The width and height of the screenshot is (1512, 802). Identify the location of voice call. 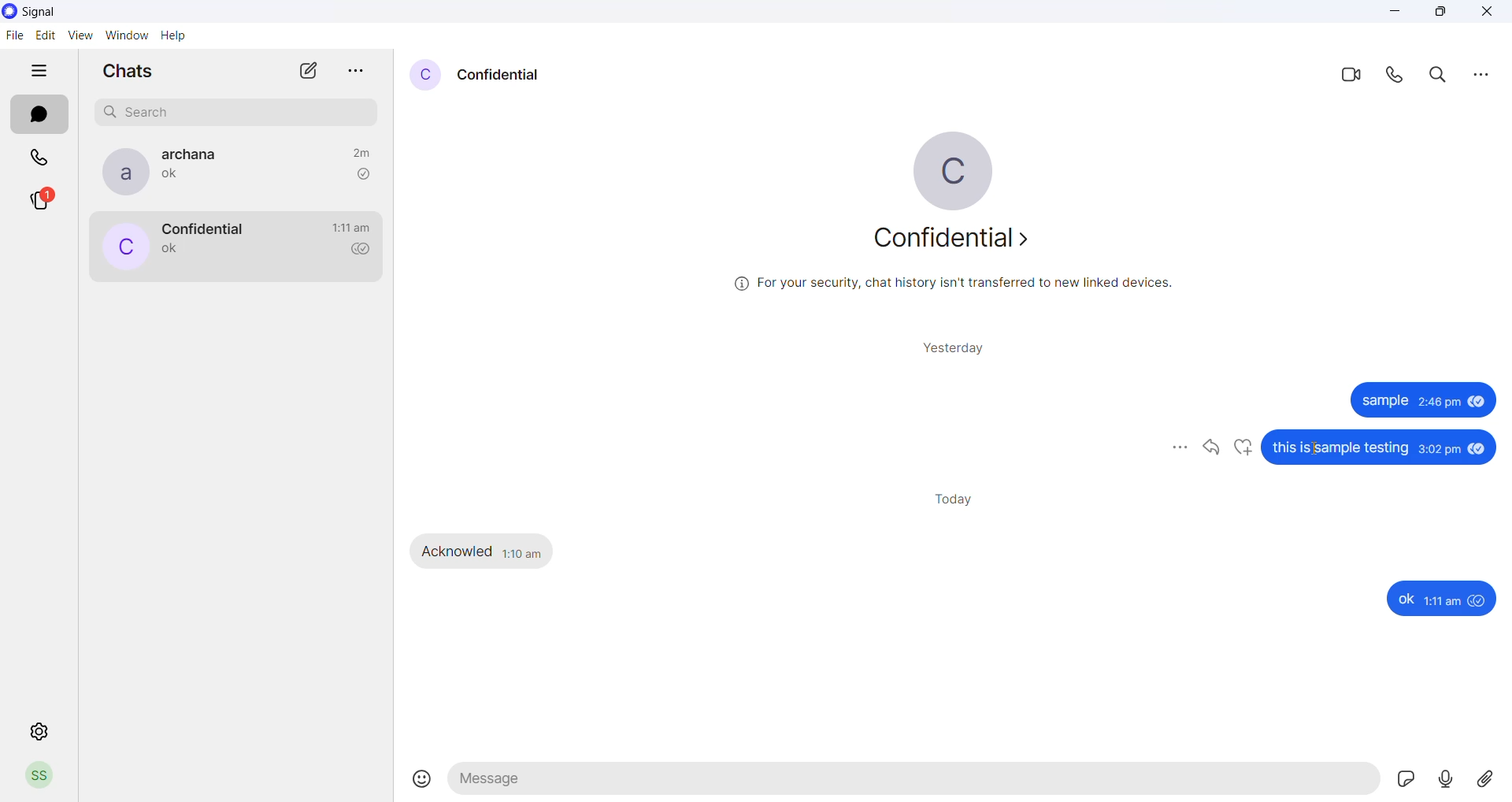
(1398, 75).